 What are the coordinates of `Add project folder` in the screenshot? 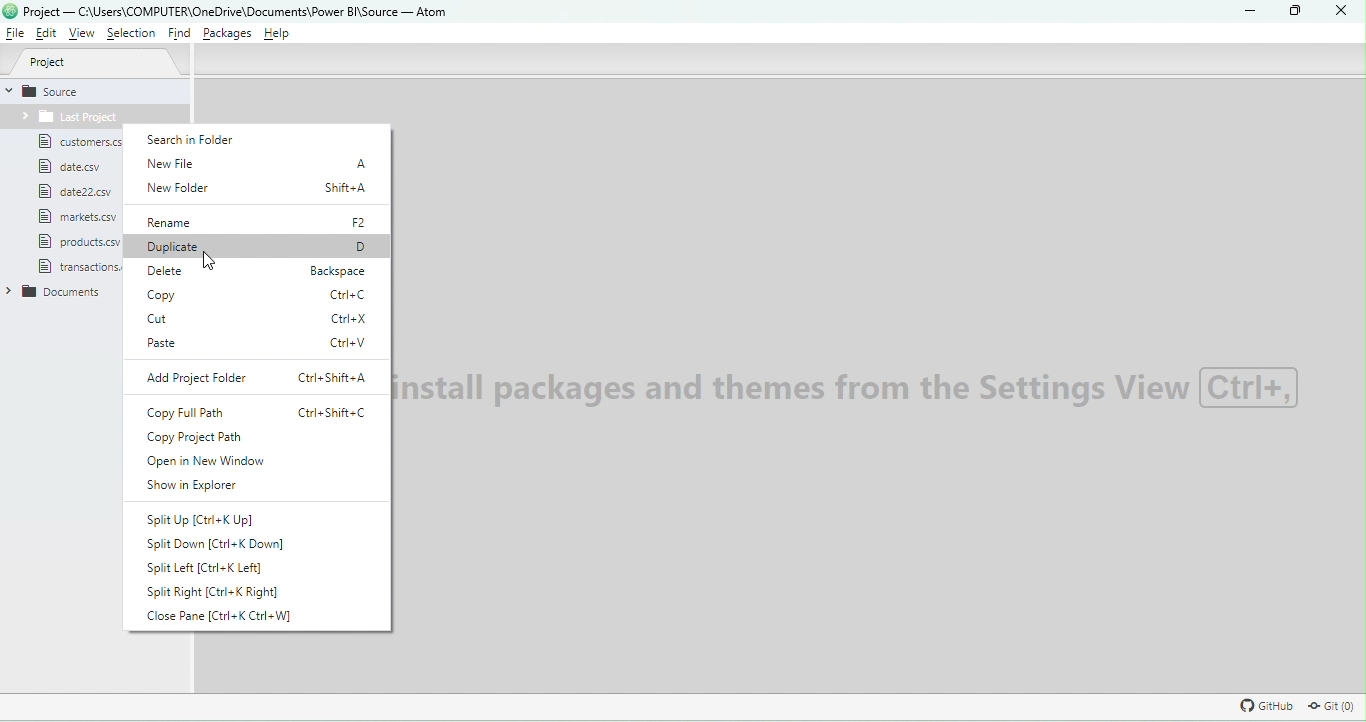 It's located at (261, 381).